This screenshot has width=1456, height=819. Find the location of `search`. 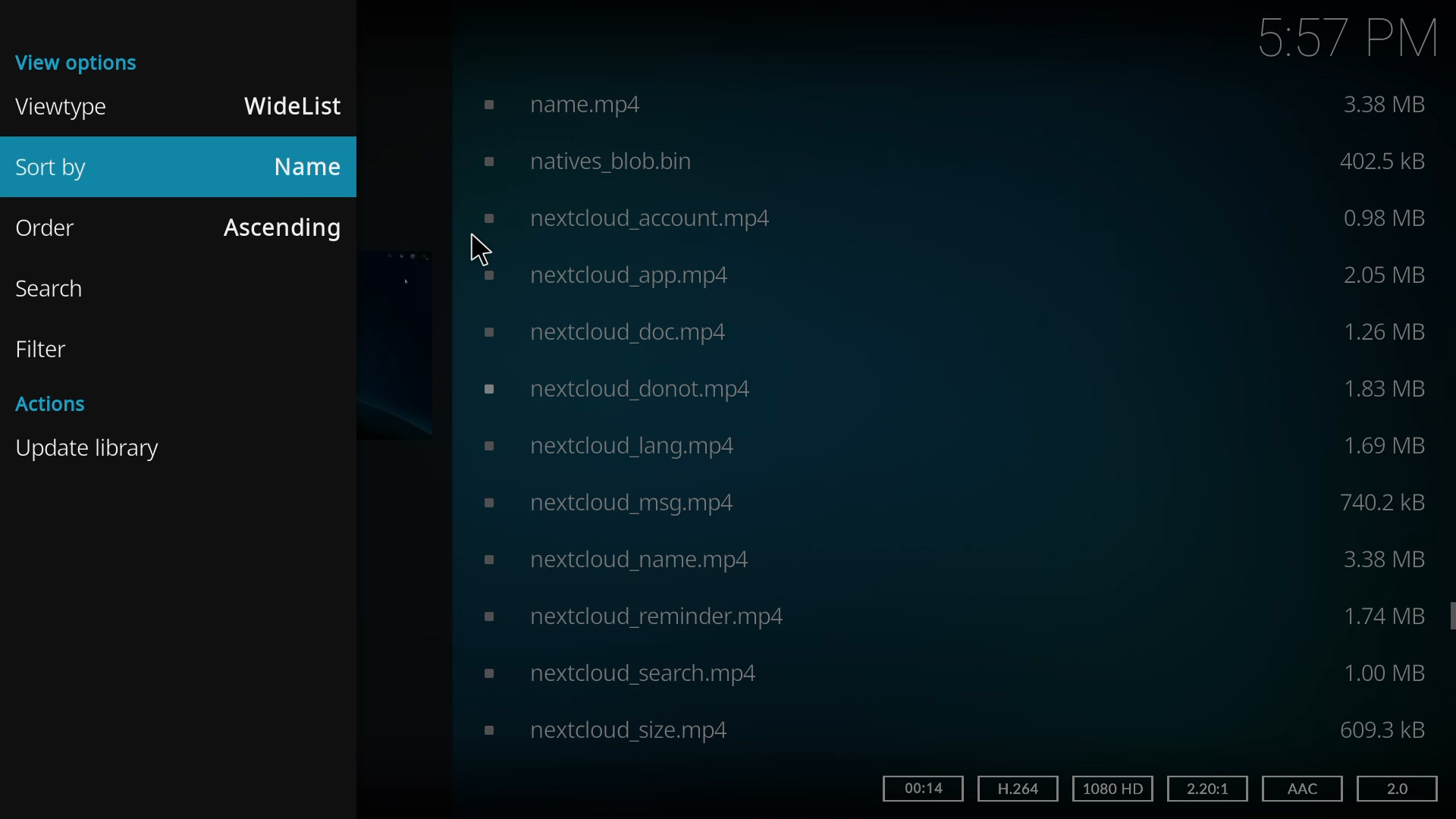

search is located at coordinates (61, 287).